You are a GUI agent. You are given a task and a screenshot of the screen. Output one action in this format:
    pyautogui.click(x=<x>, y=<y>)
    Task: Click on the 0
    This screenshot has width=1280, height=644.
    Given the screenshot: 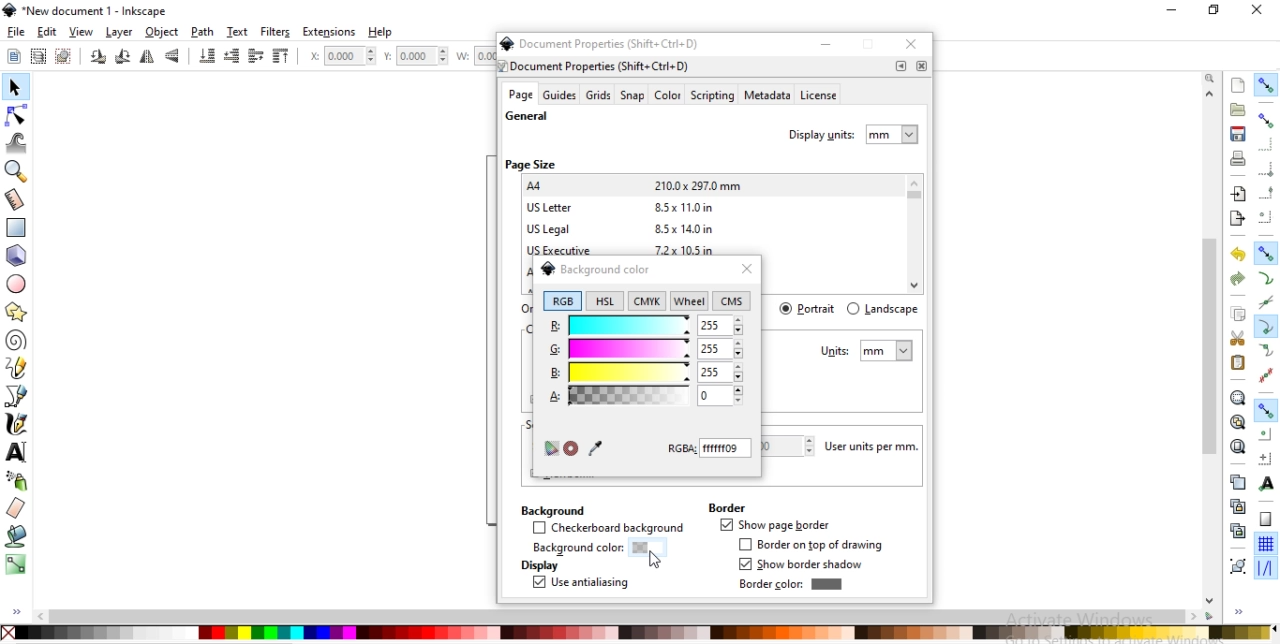 What is the action you would take?
    pyautogui.click(x=710, y=395)
    